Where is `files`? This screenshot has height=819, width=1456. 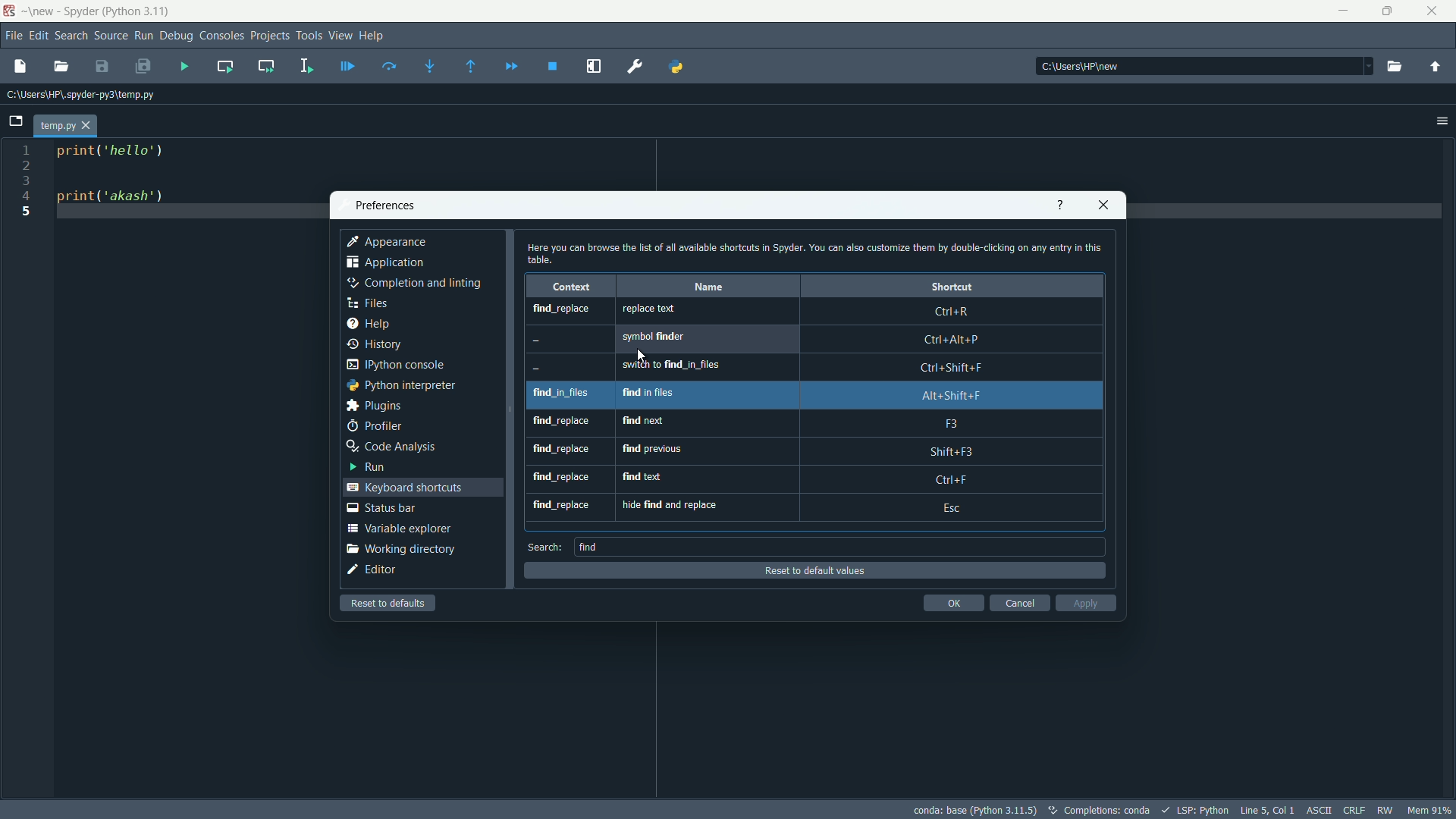 files is located at coordinates (378, 301).